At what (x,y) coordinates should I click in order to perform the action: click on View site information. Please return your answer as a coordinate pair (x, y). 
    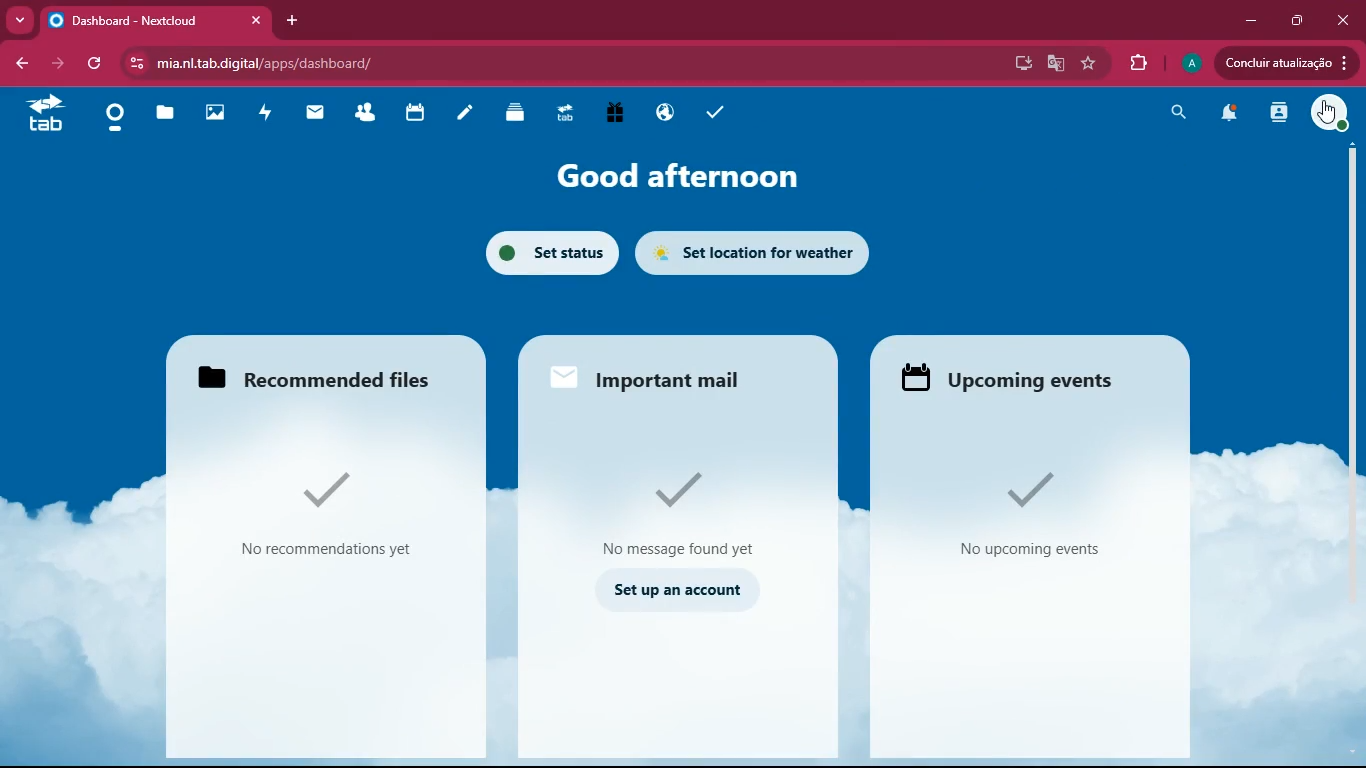
    Looking at the image, I should click on (137, 64).